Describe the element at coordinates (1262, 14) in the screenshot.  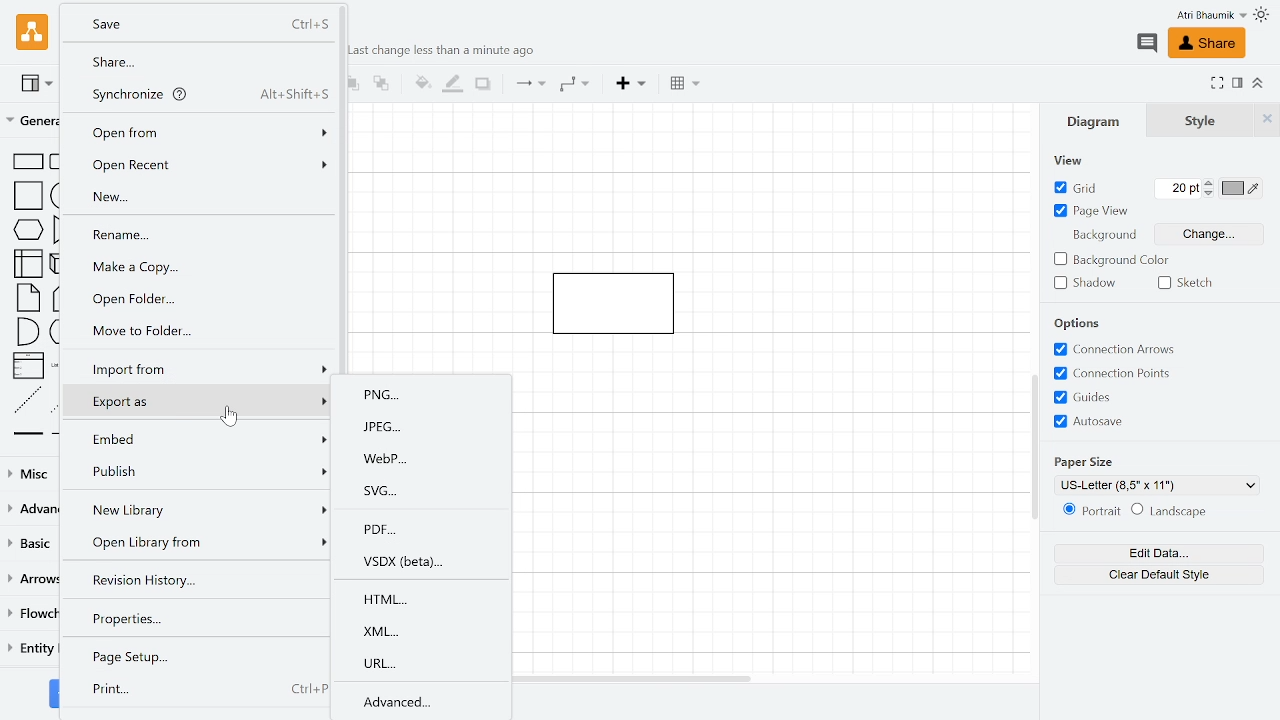
I see `Theme` at that location.